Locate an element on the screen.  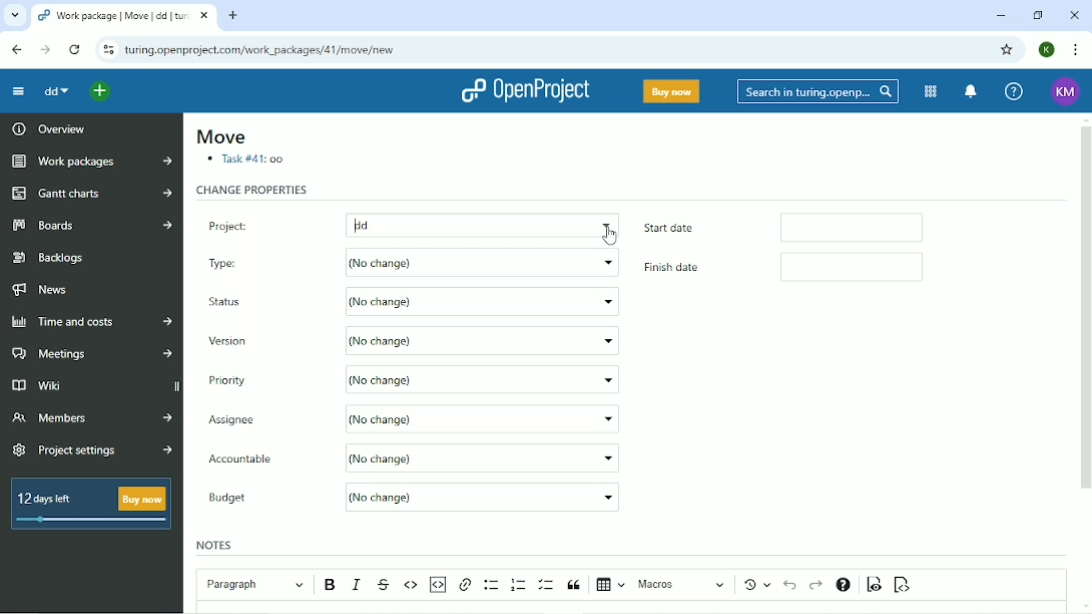
Open quick add menu is located at coordinates (101, 93).